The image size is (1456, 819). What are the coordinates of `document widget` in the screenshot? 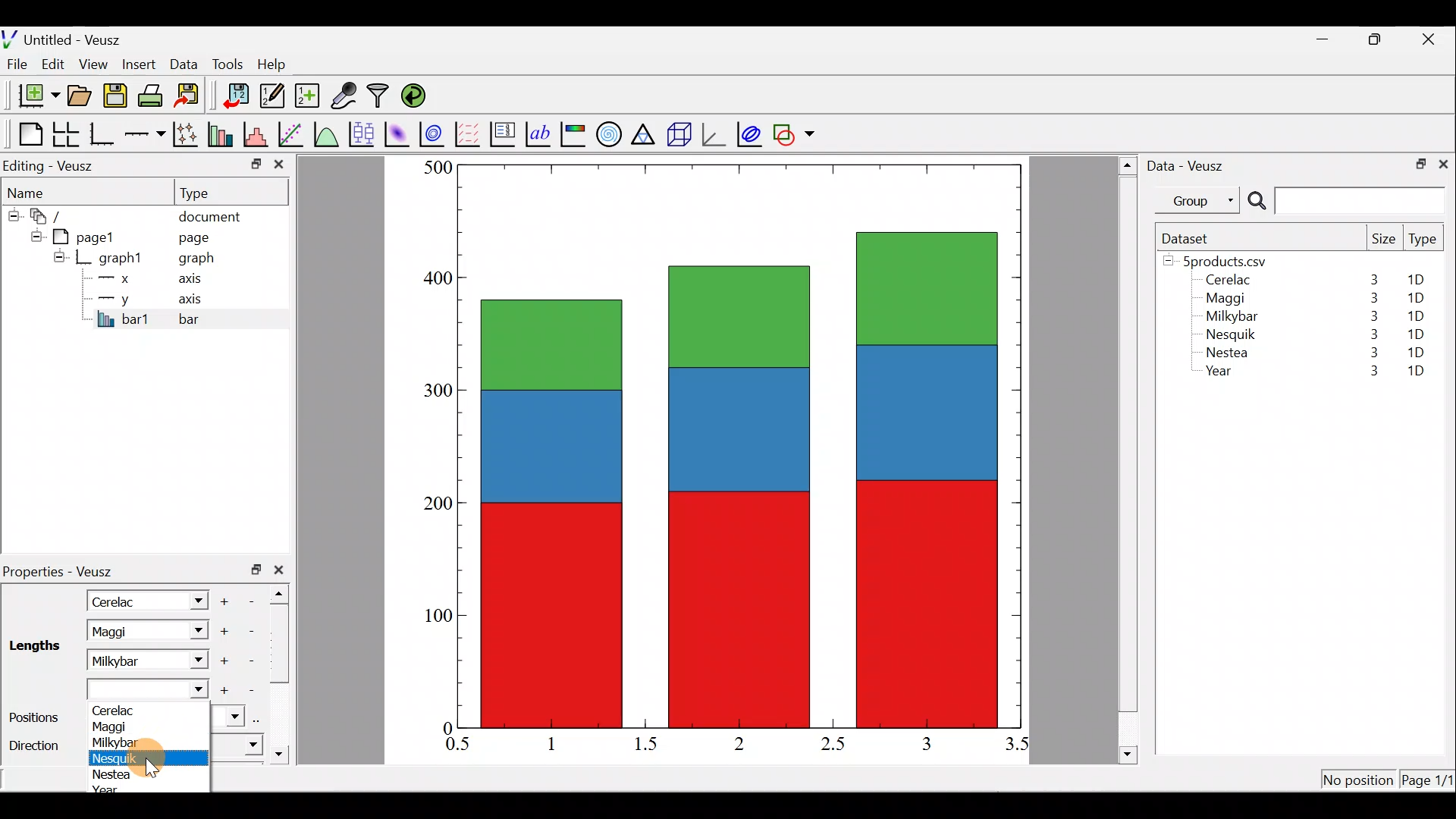 It's located at (54, 214).